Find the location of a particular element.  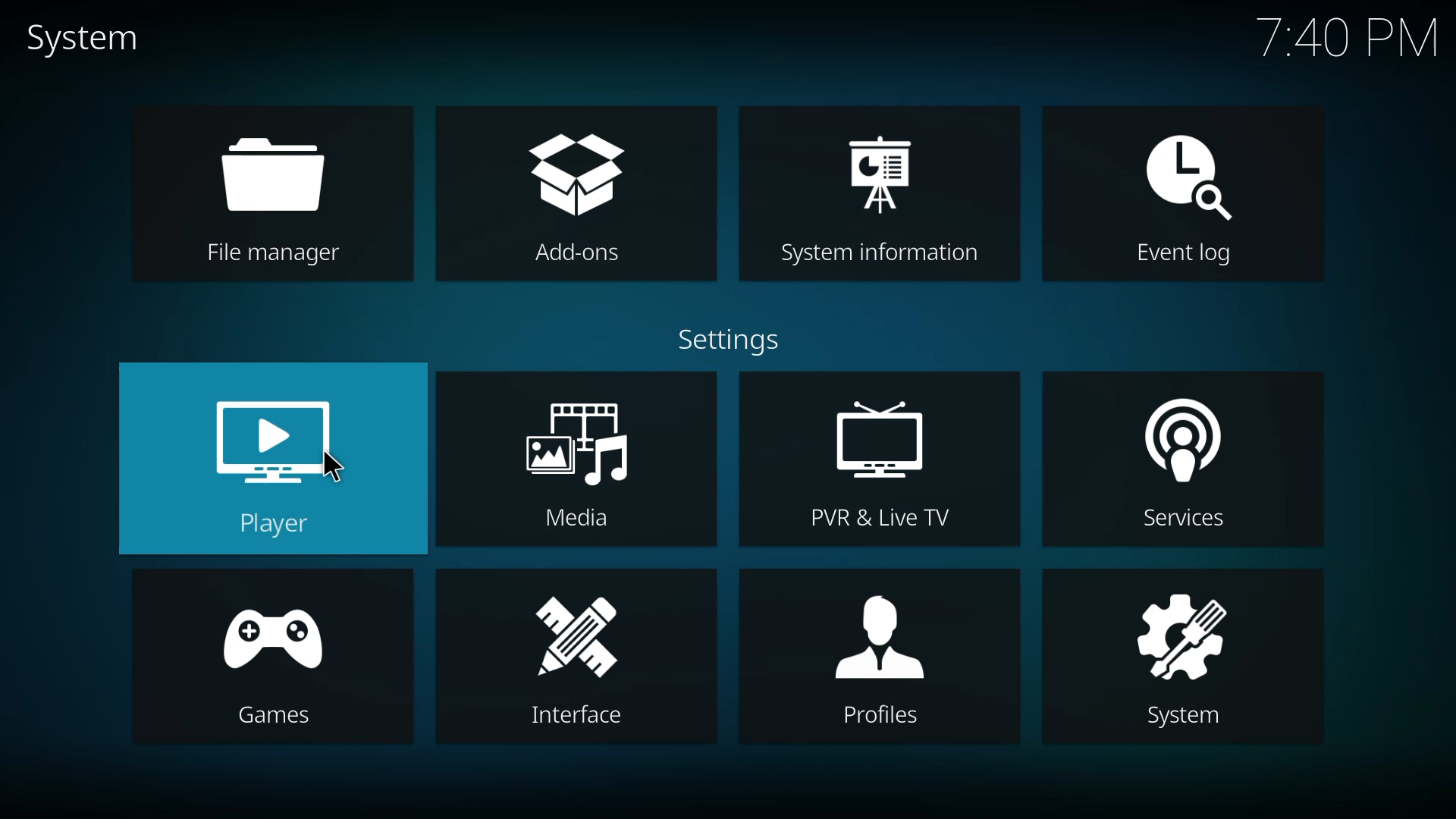

interface is located at coordinates (576, 661).